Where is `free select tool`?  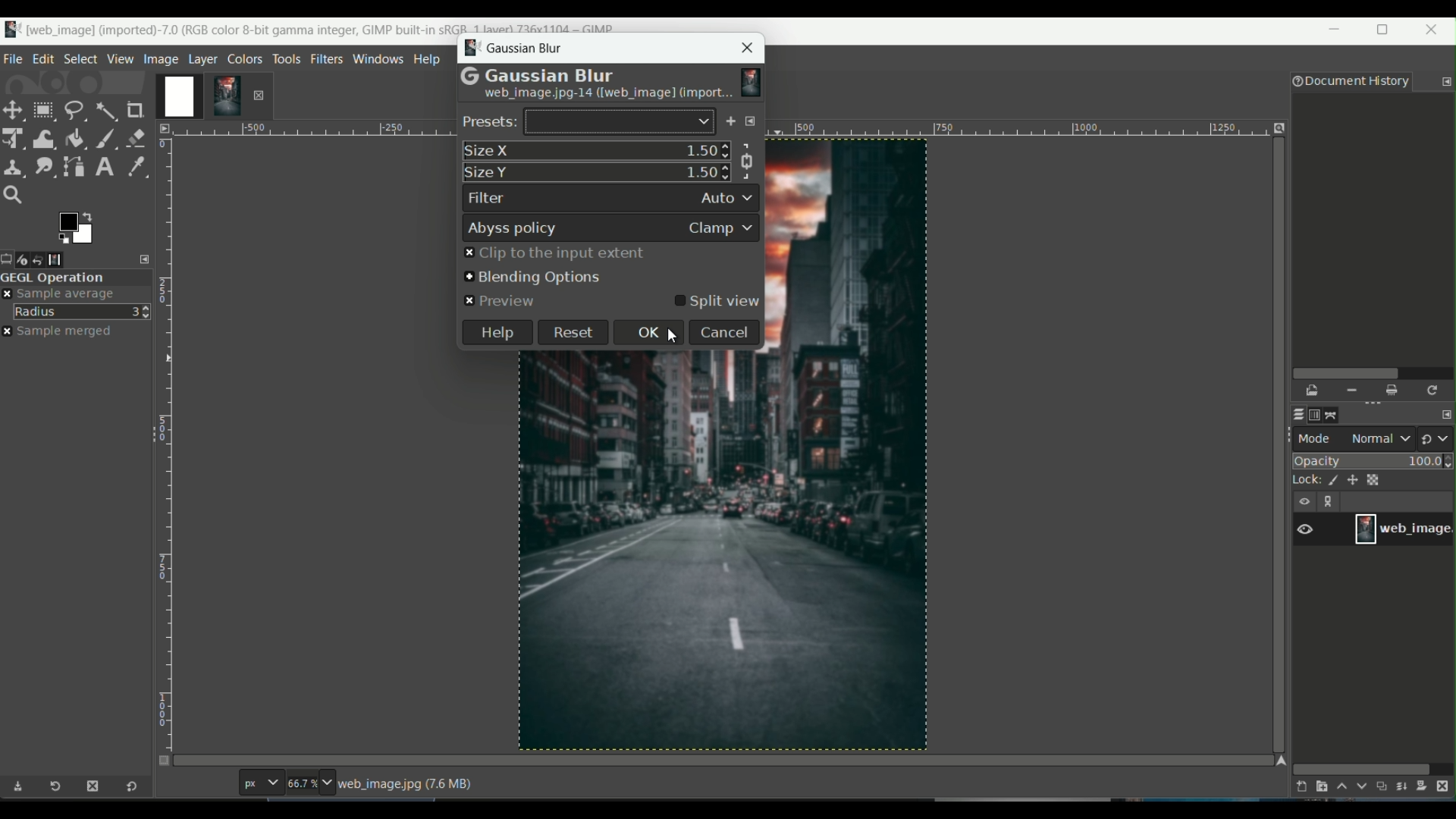
free select tool is located at coordinates (74, 108).